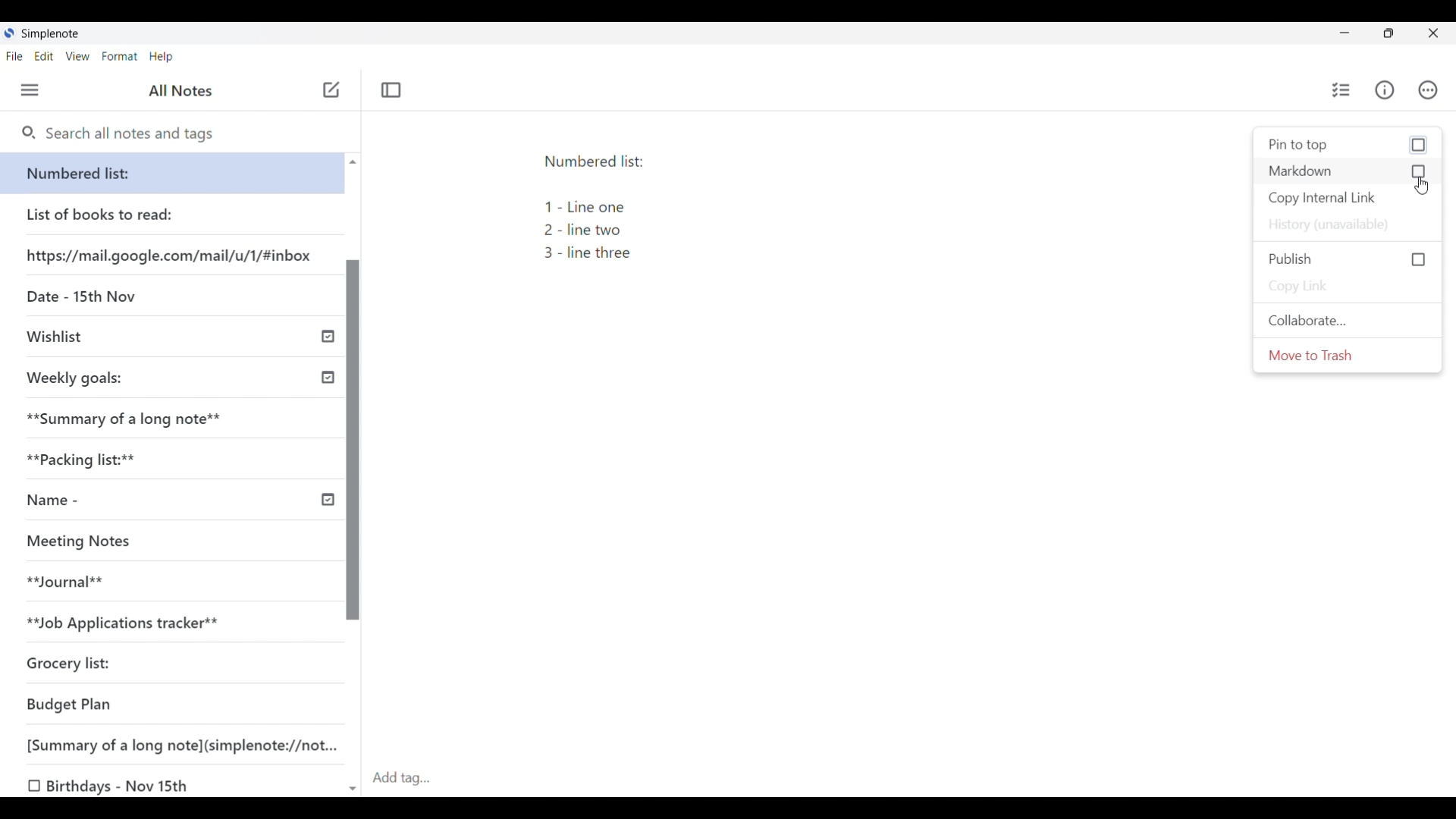 The height and width of the screenshot is (819, 1456). What do you see at coordinates (64, 340) in the screenshot?
I see `Wishlist` at bounding box center [64, 340].